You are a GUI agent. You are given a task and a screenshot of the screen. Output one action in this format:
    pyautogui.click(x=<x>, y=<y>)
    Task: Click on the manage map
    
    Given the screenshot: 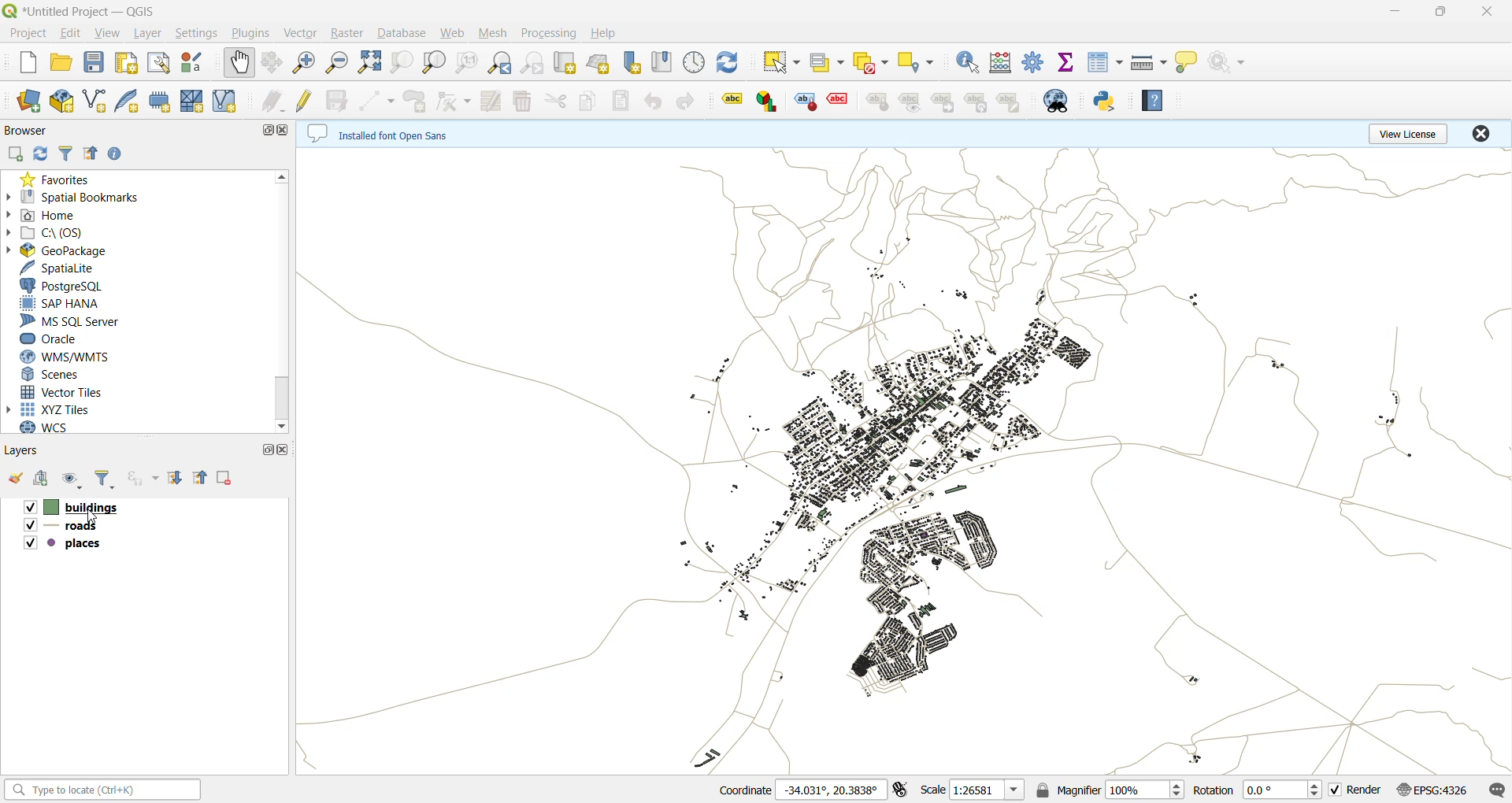 What is the action you would take?
    pyautogui.click(x=71, y=479)
    